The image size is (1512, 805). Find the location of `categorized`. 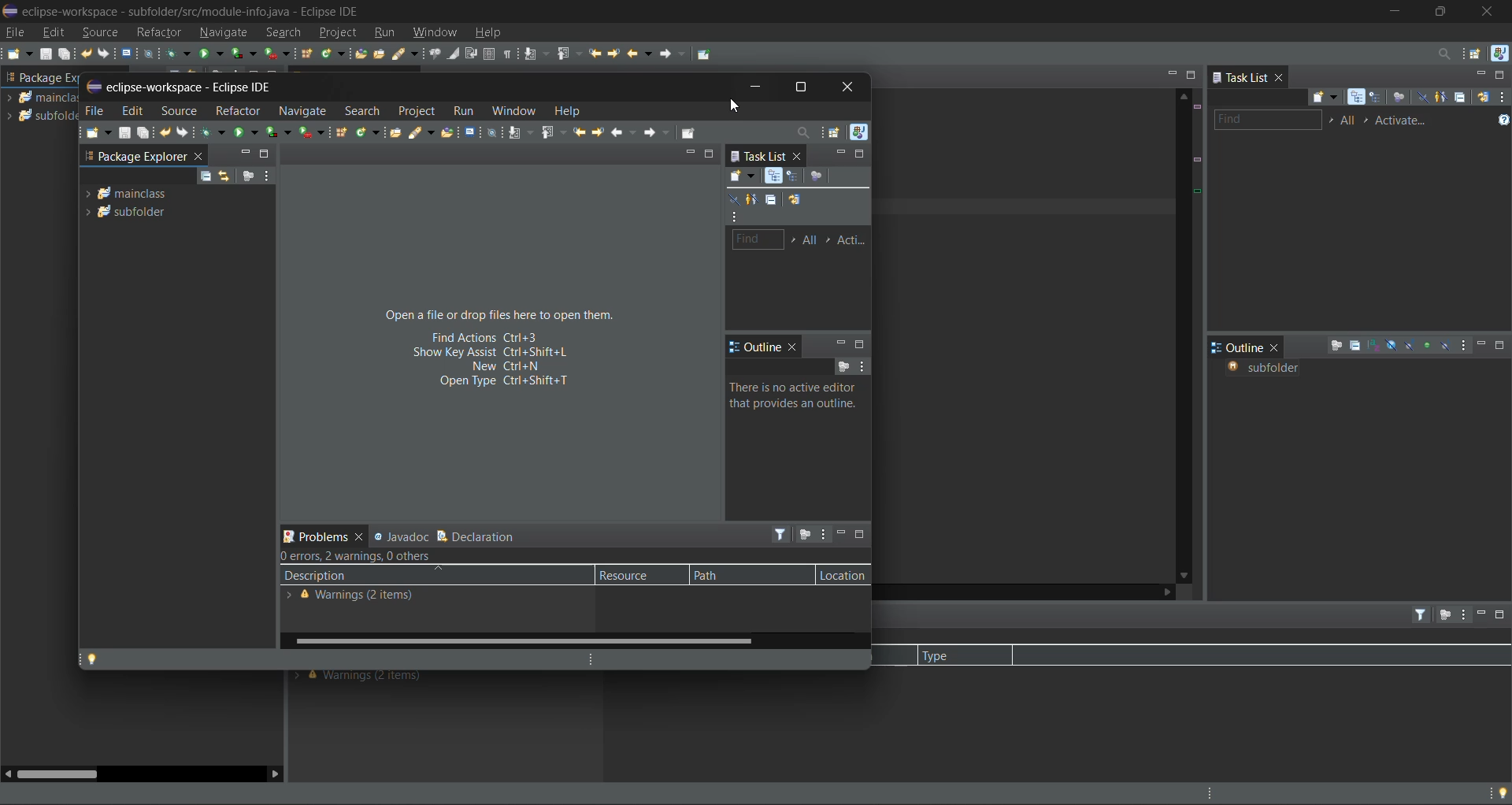

categorized is located at coordinates (1358, 98).